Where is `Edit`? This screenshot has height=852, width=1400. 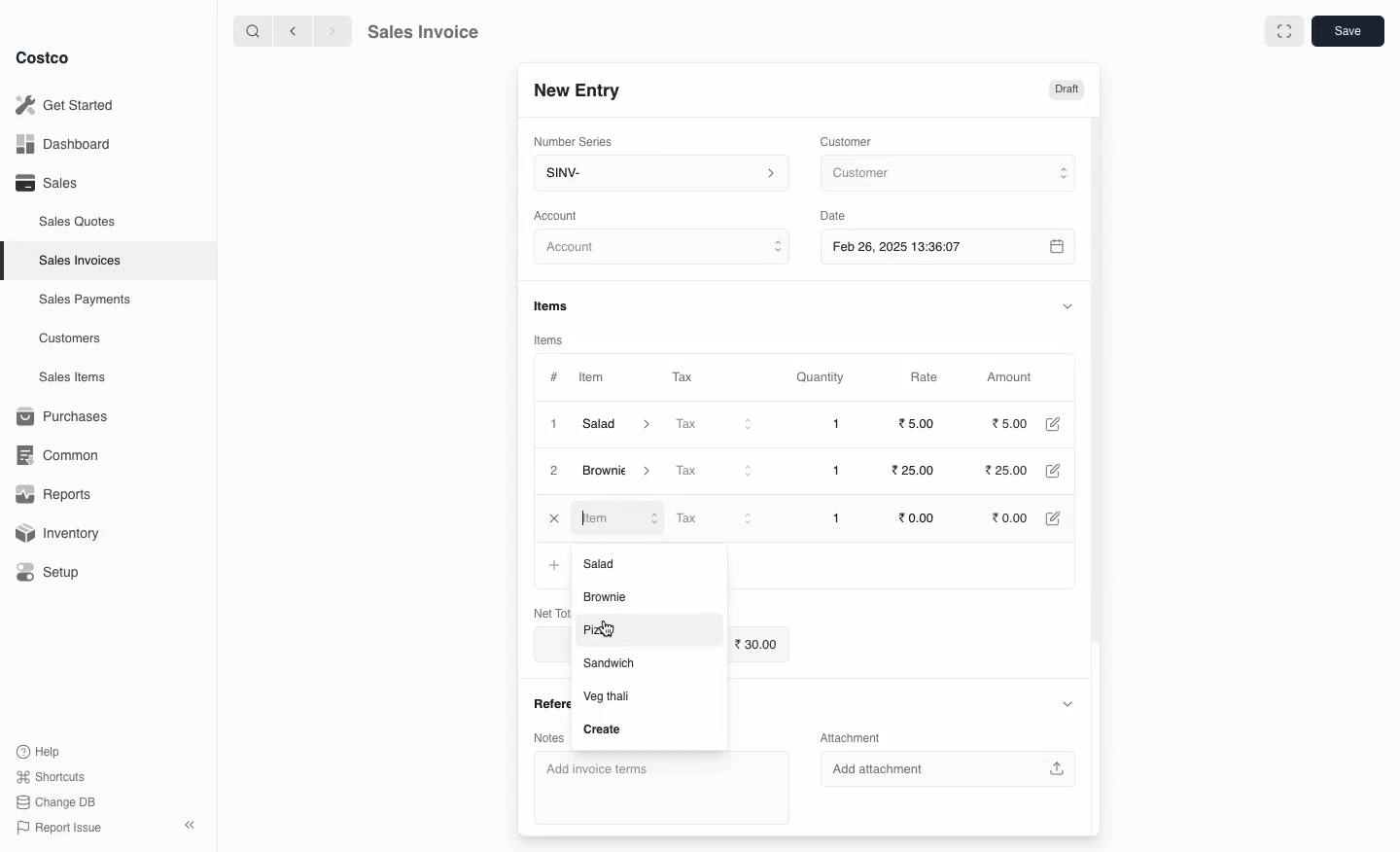
Edit is located at coordinates (1056, 472).